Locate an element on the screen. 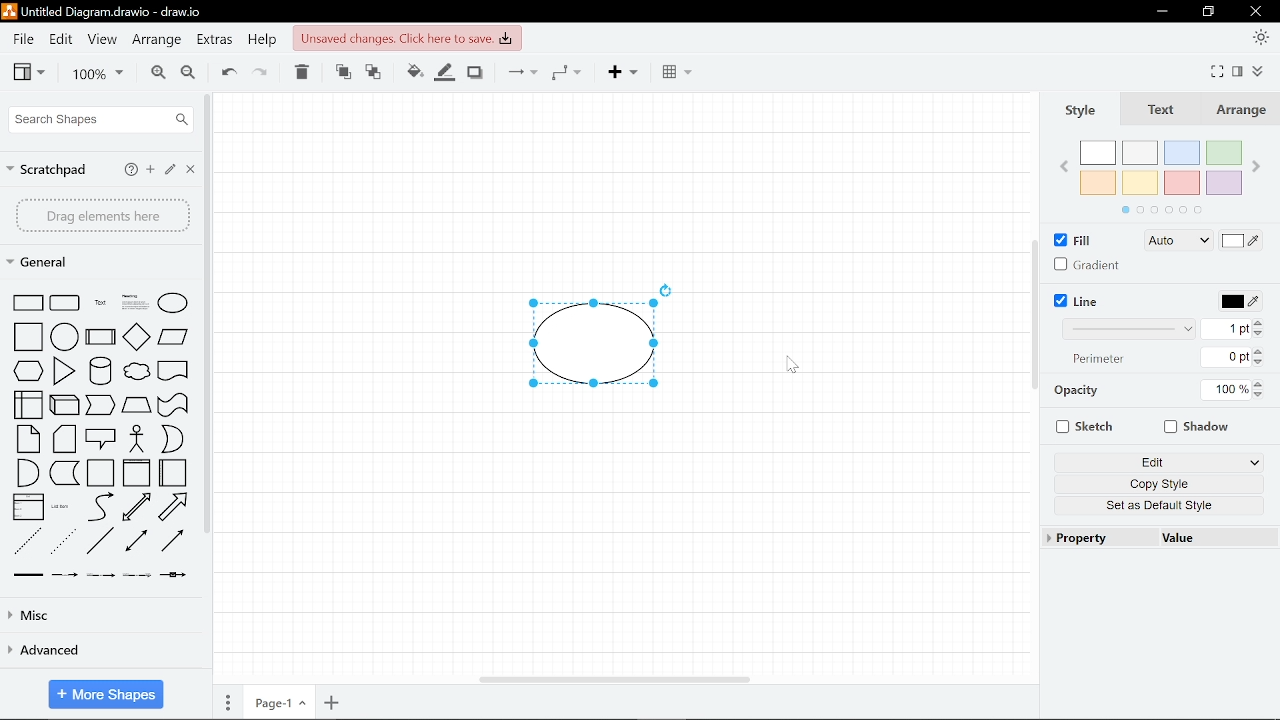 This screenshot has width=1280, height=720. data storage is located at coordinates (64, 474).